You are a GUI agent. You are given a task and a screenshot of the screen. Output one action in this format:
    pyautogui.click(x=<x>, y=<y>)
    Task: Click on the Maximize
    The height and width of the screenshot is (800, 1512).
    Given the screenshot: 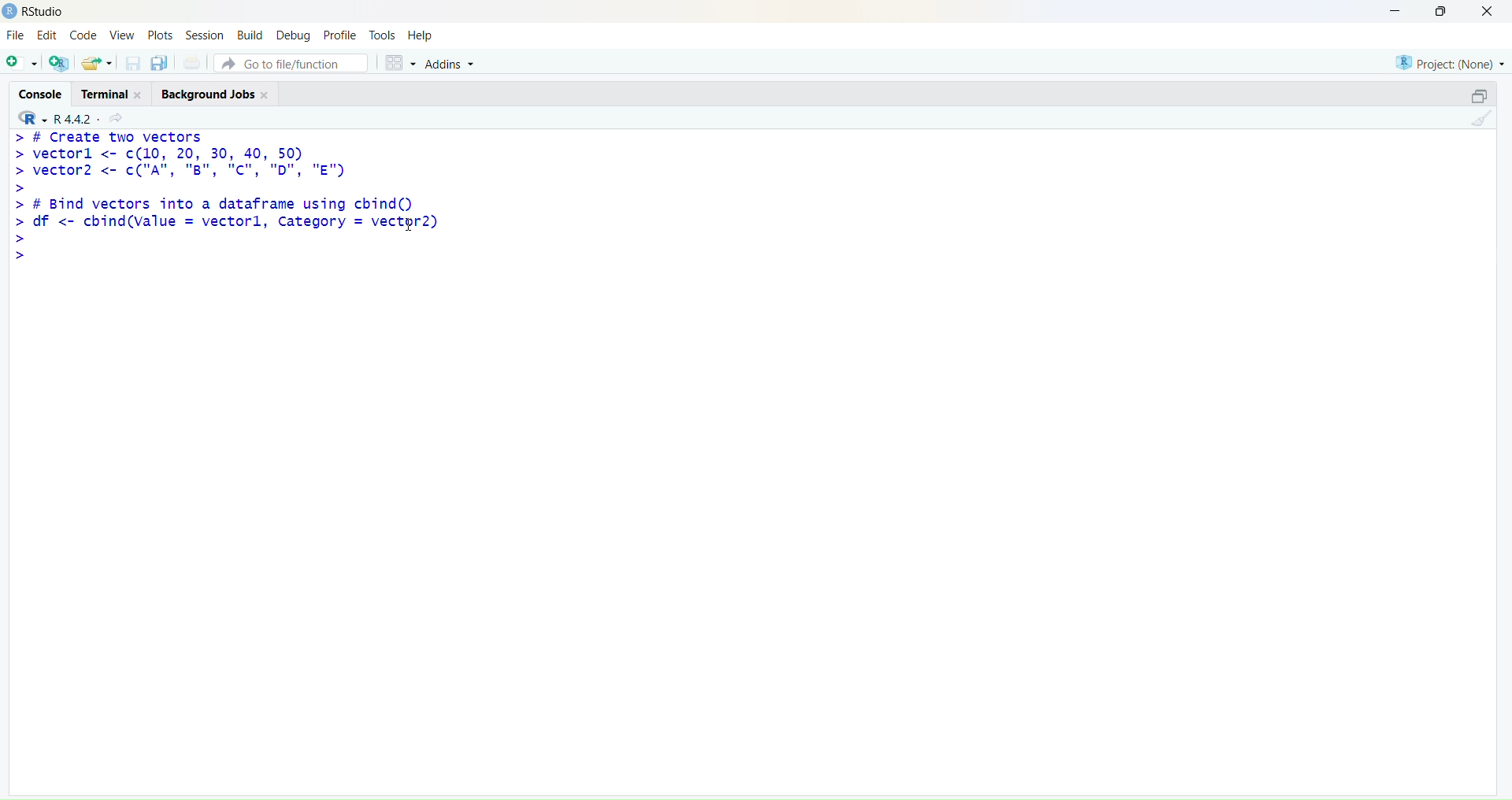 What is the action you would take?
    pyautogui.click(x=1442, y=11)
    